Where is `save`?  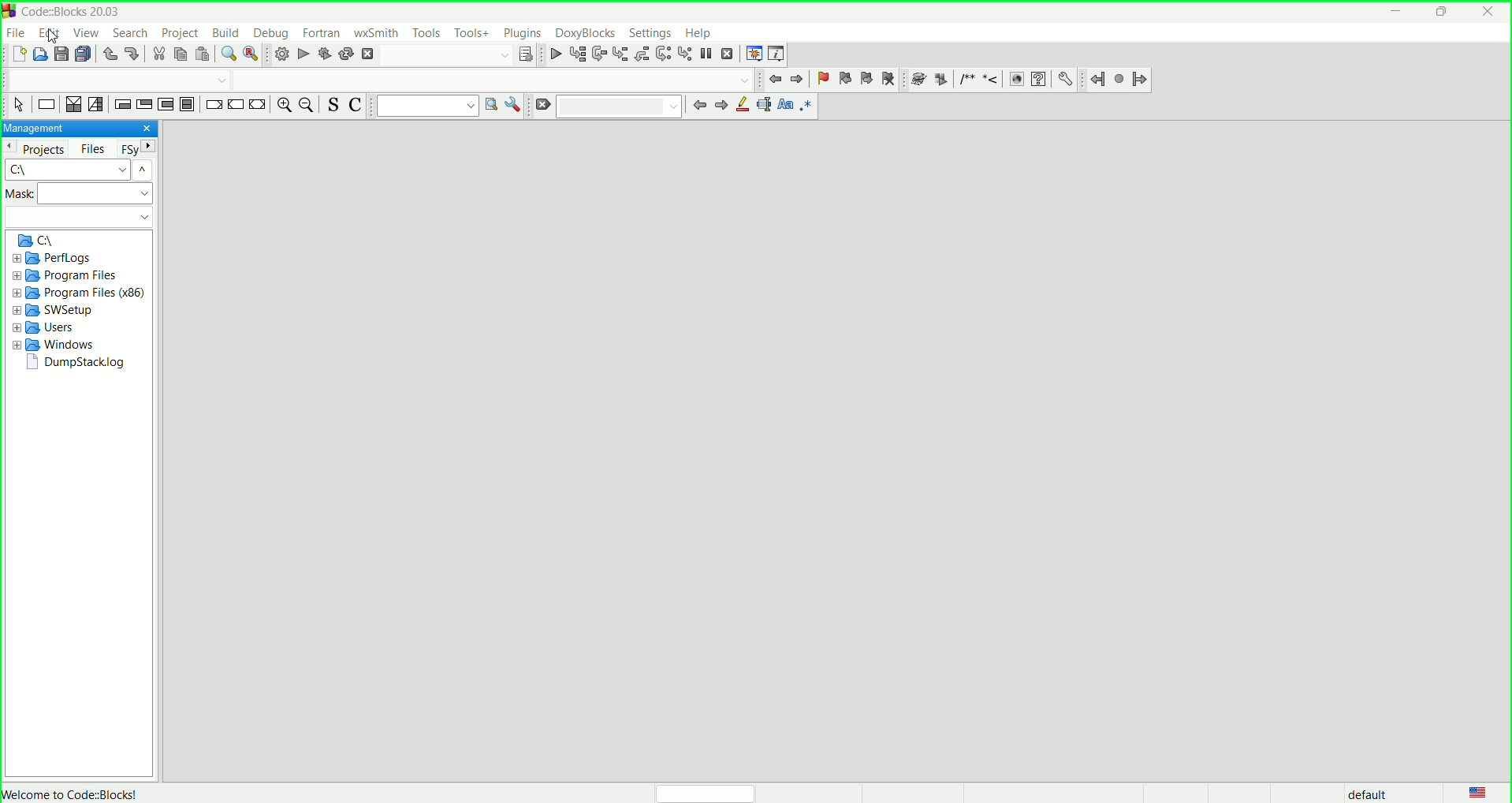
save is located at coordinates (63, 56).